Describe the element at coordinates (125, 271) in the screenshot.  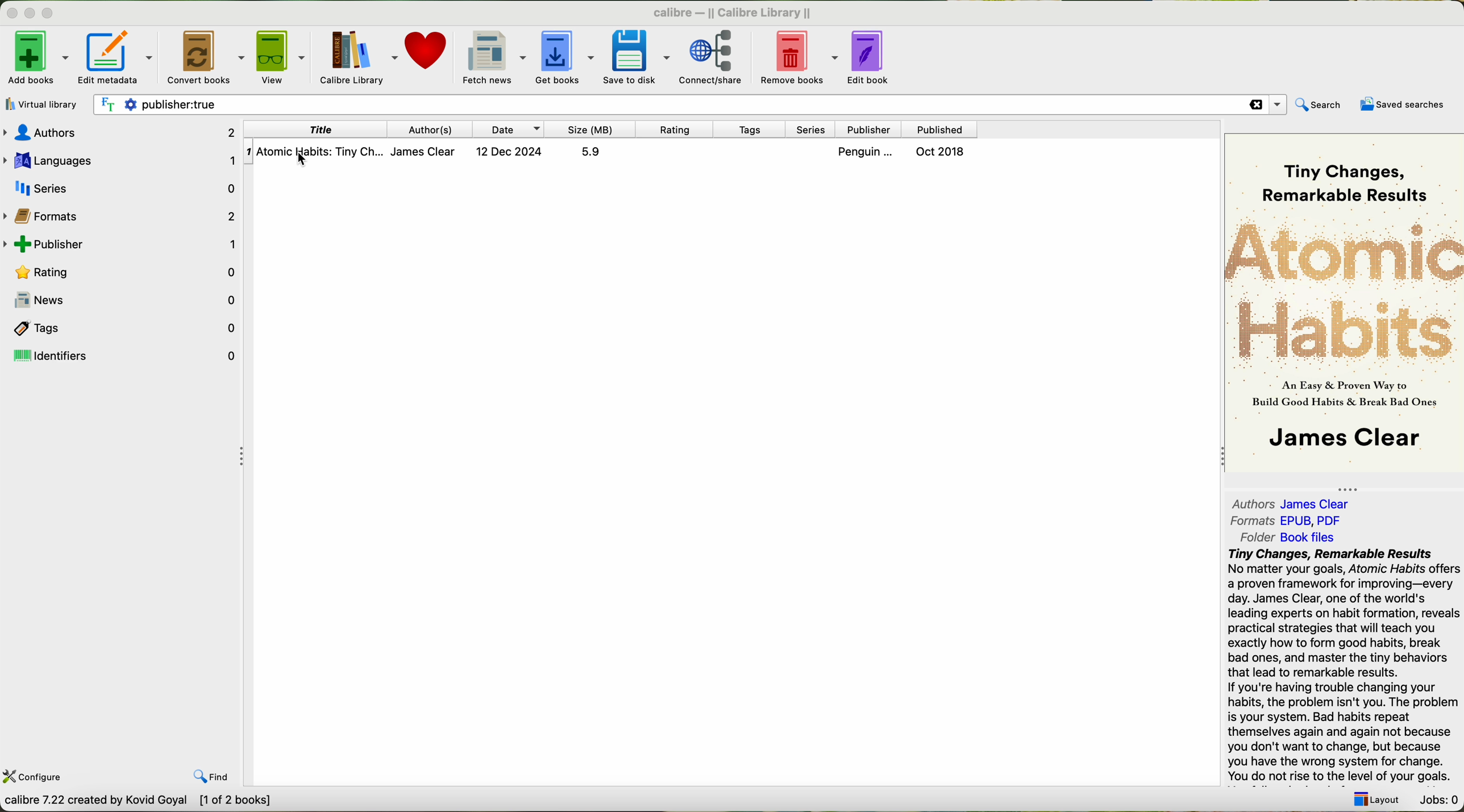
I see `rating` at that location.